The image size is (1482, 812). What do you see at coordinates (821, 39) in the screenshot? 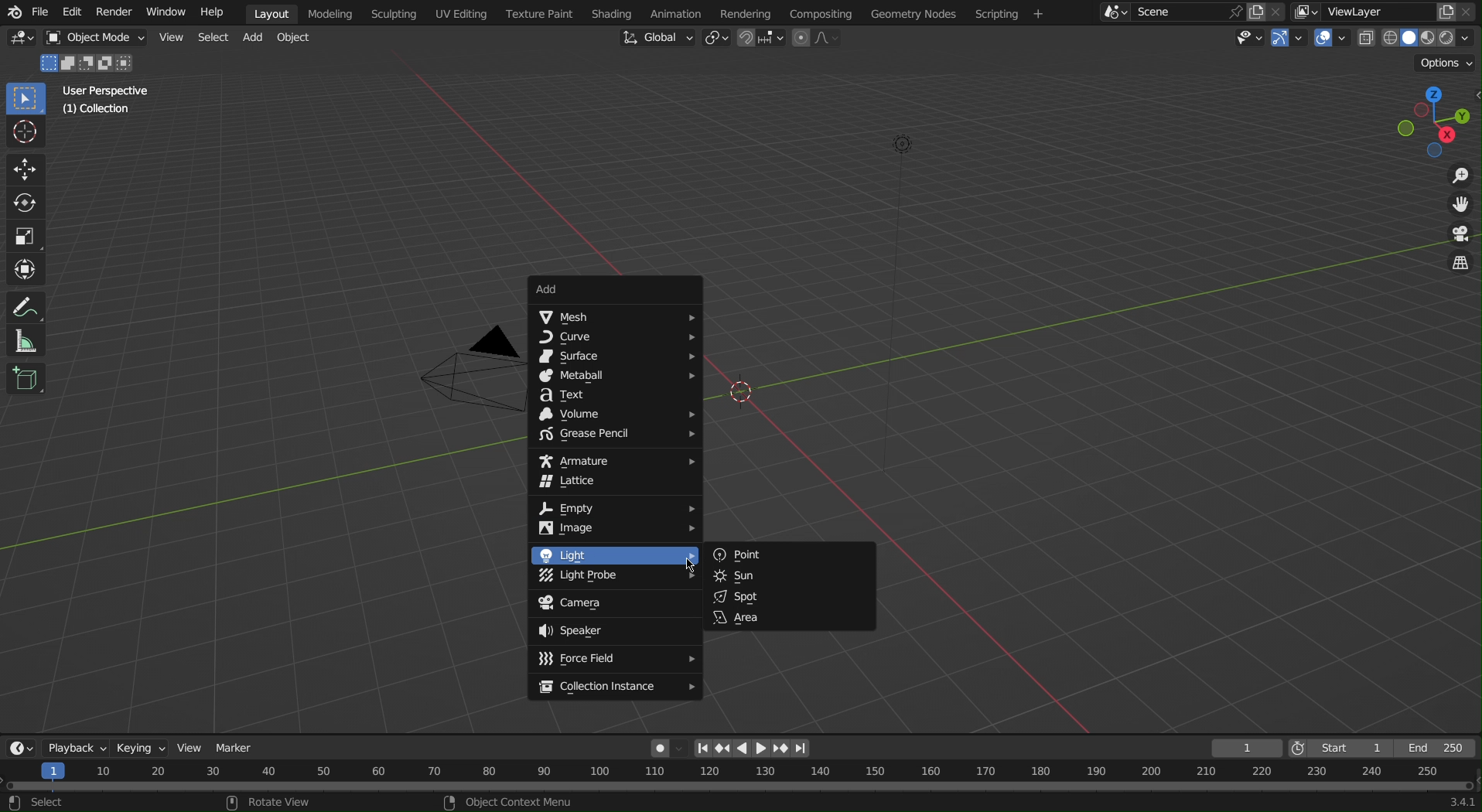
I see `Proportional Editing` at bounding box center [821, 39].